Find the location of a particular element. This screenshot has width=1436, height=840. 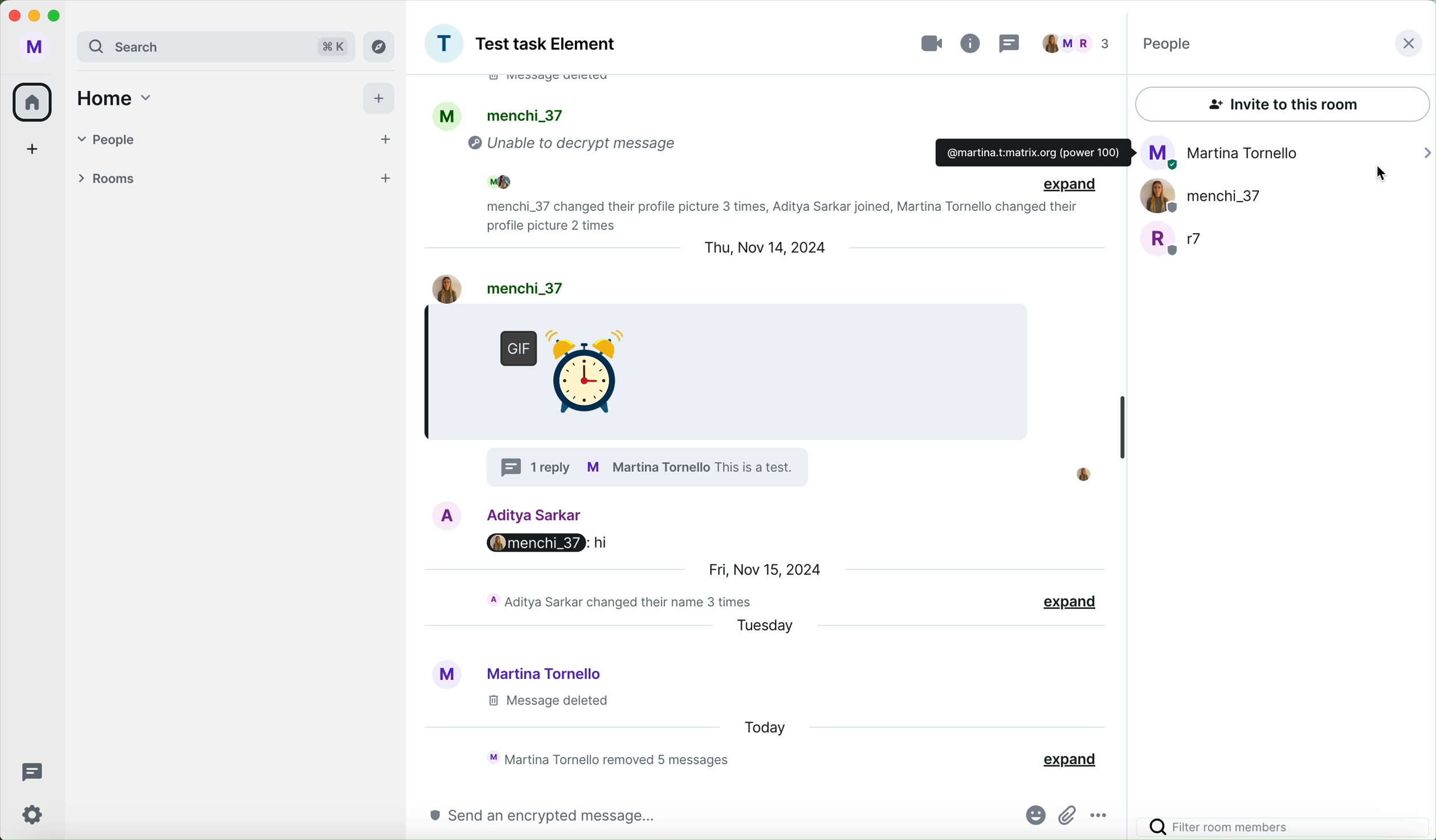

user is located at coordinates (520, 286).